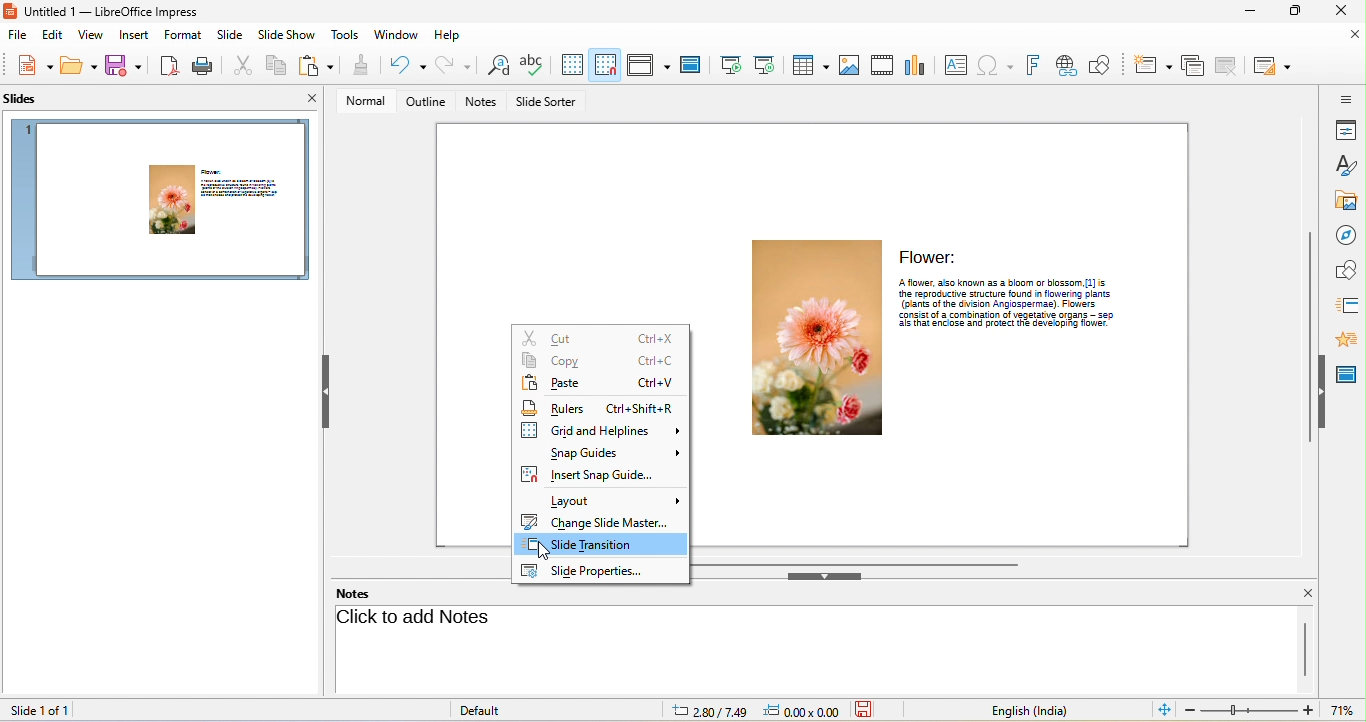  What do you see at coordinates (425, 102) in the screenshot?
I see `outline` at bounding box center [425, 102].